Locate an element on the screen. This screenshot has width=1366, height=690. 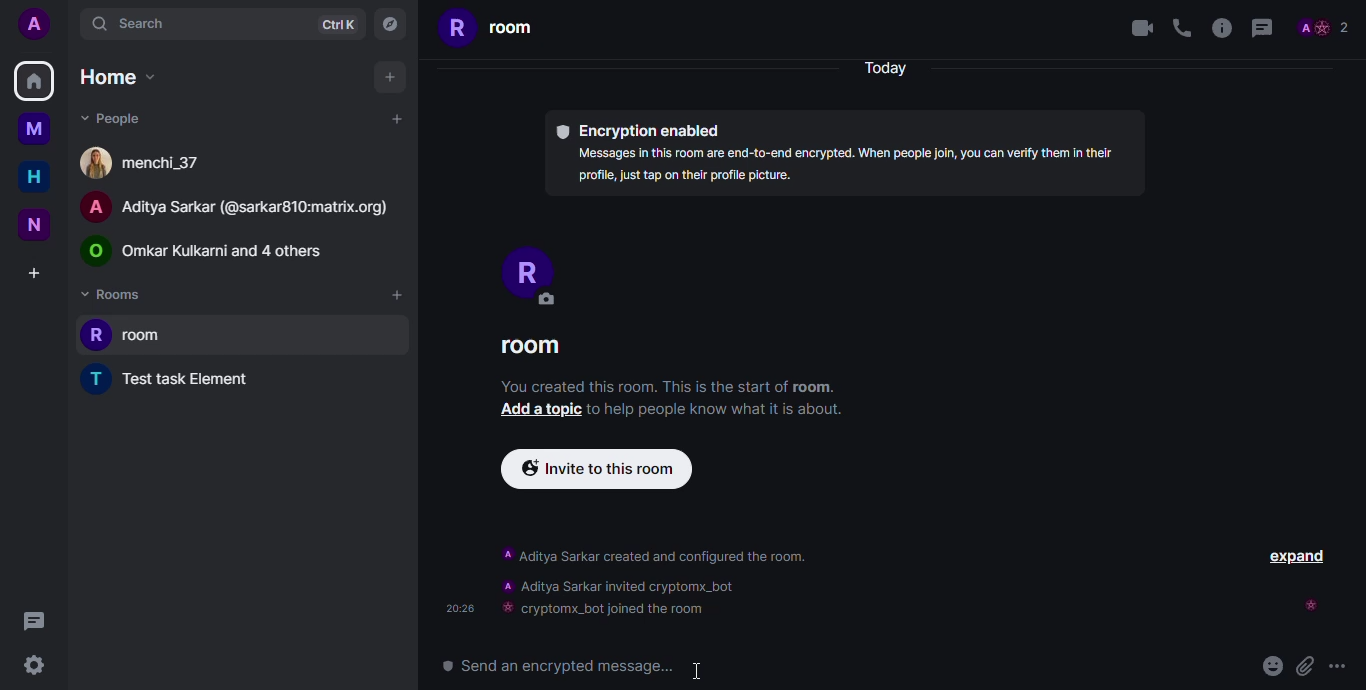
(5) menchi_37 is located at coordinates (140, 163).